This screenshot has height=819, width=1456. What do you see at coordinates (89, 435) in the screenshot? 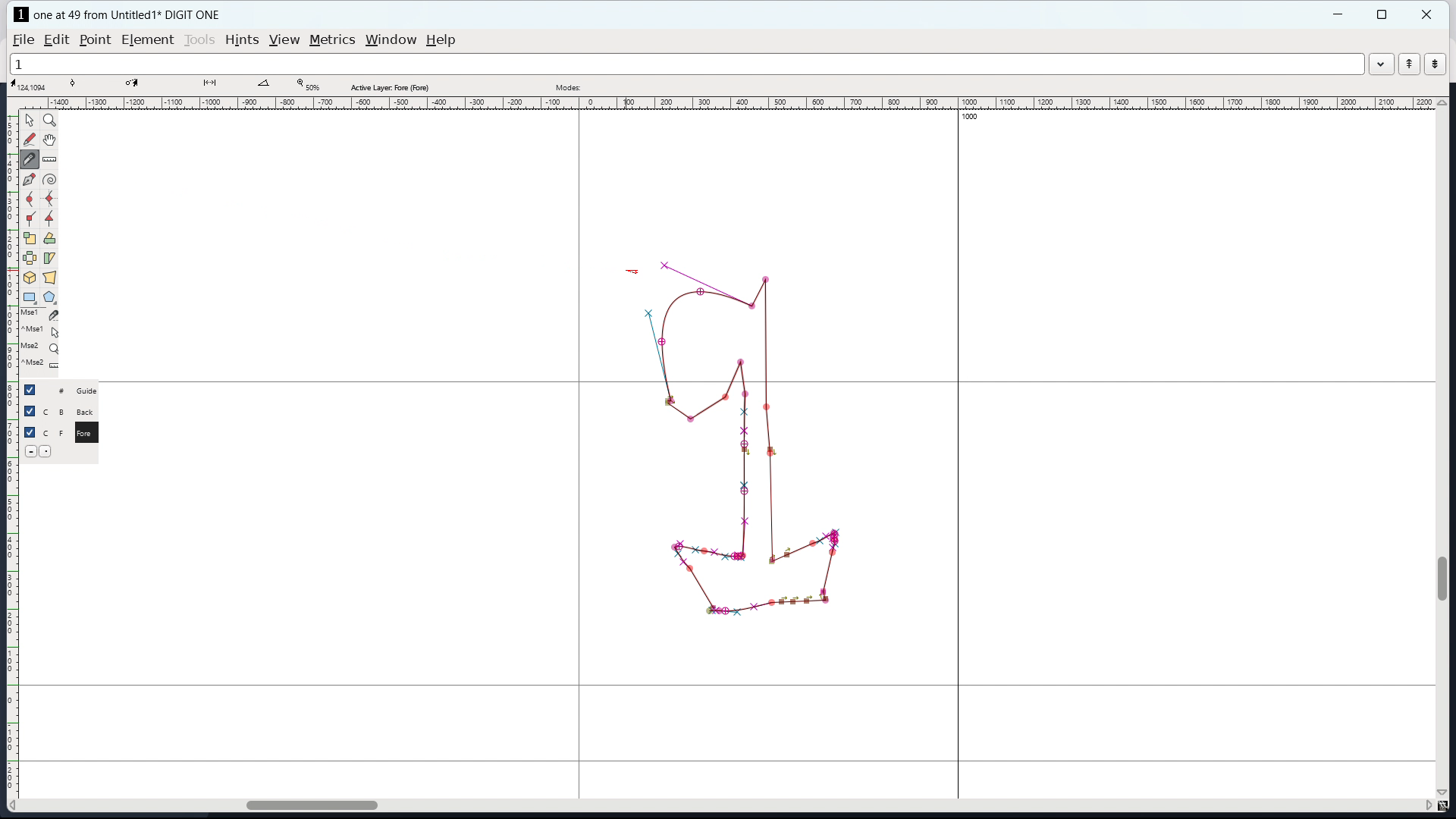
I see `fore` at bounding box center [89, 435].